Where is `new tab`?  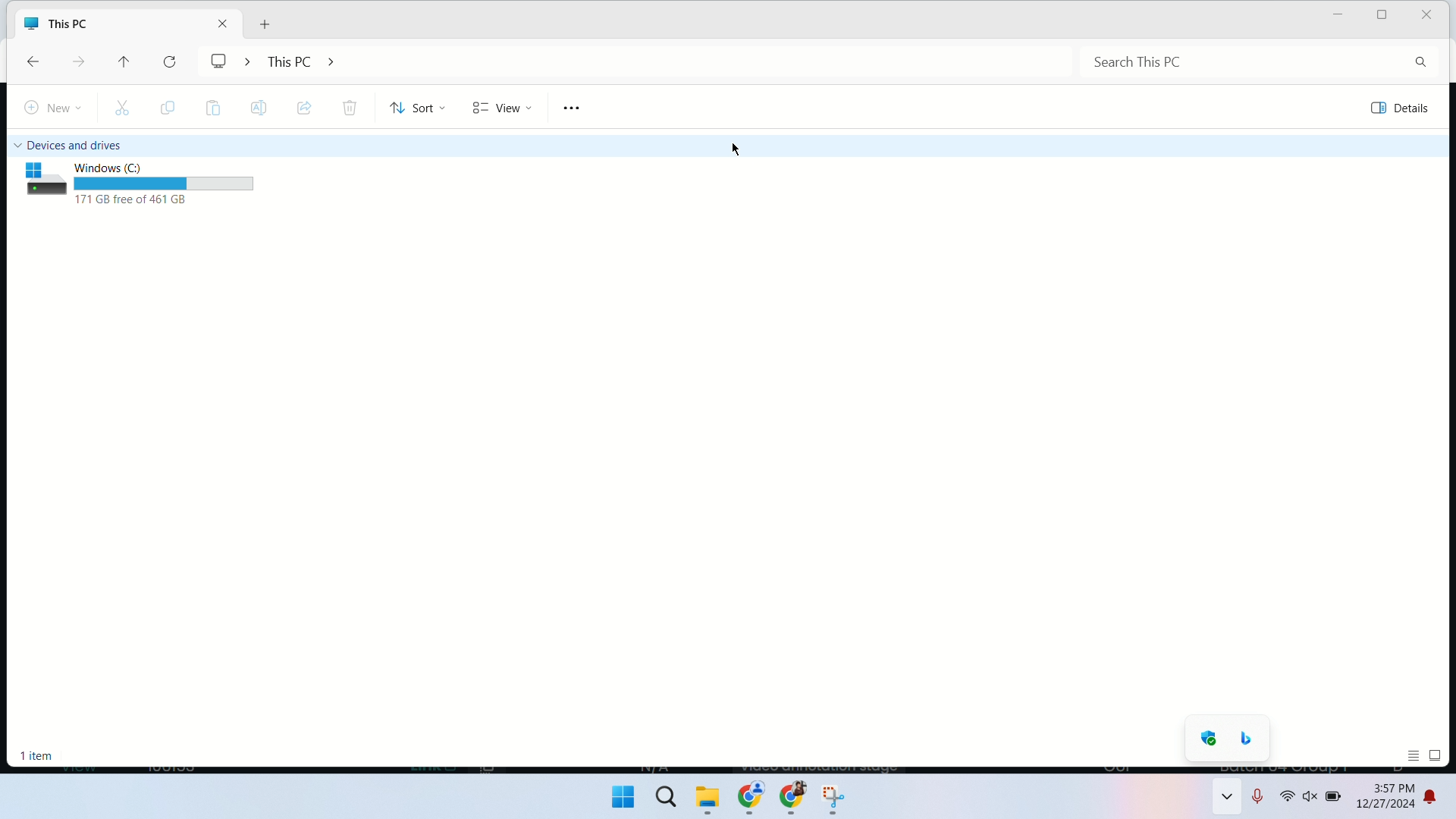 new tab is located at coordinates (265, 26).